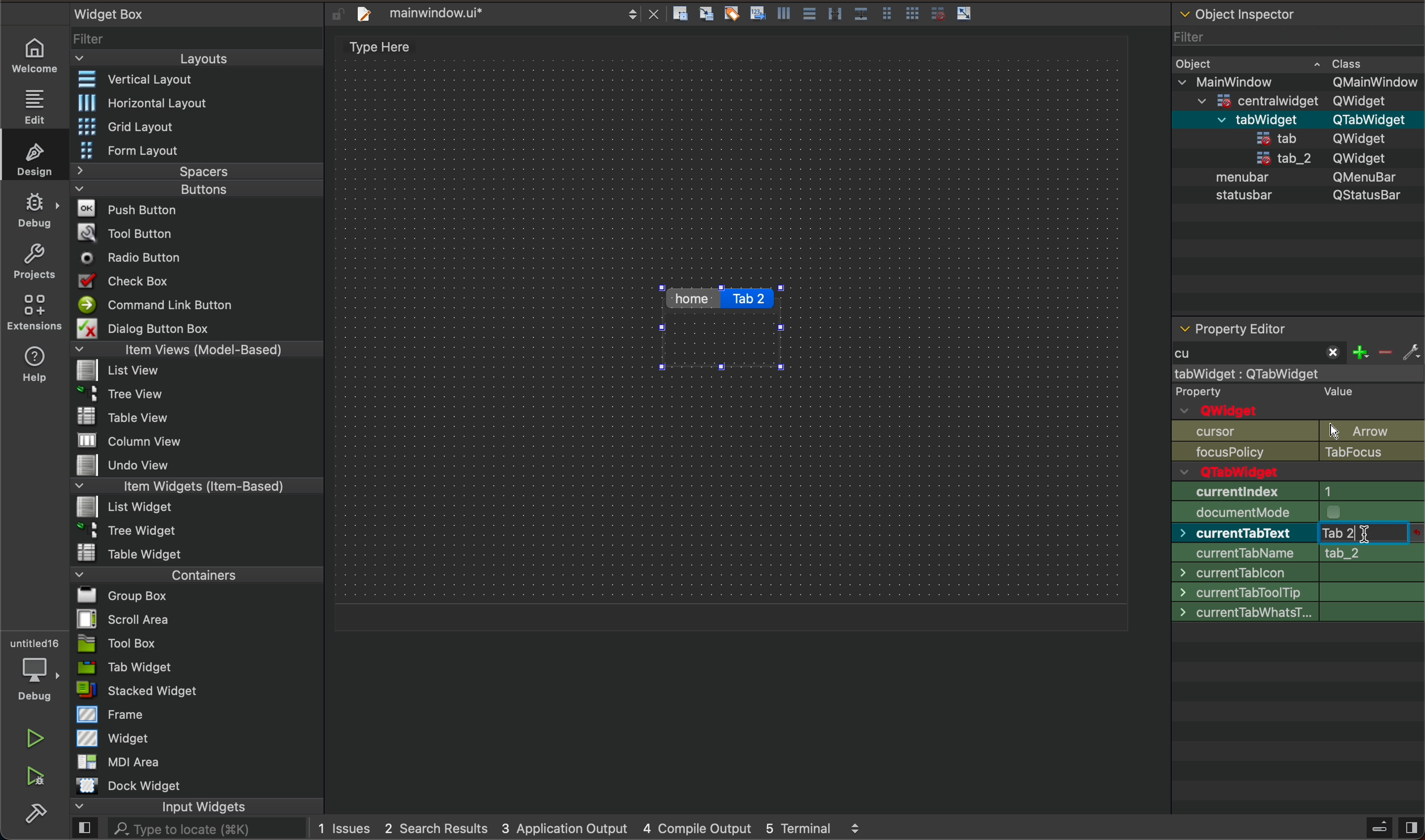 The width and height of the screenshot is (1425, 840). What do you see at coordinates (105, 14) in the screenshot?
I see `Widget Box` at bounding box center [105, 14].